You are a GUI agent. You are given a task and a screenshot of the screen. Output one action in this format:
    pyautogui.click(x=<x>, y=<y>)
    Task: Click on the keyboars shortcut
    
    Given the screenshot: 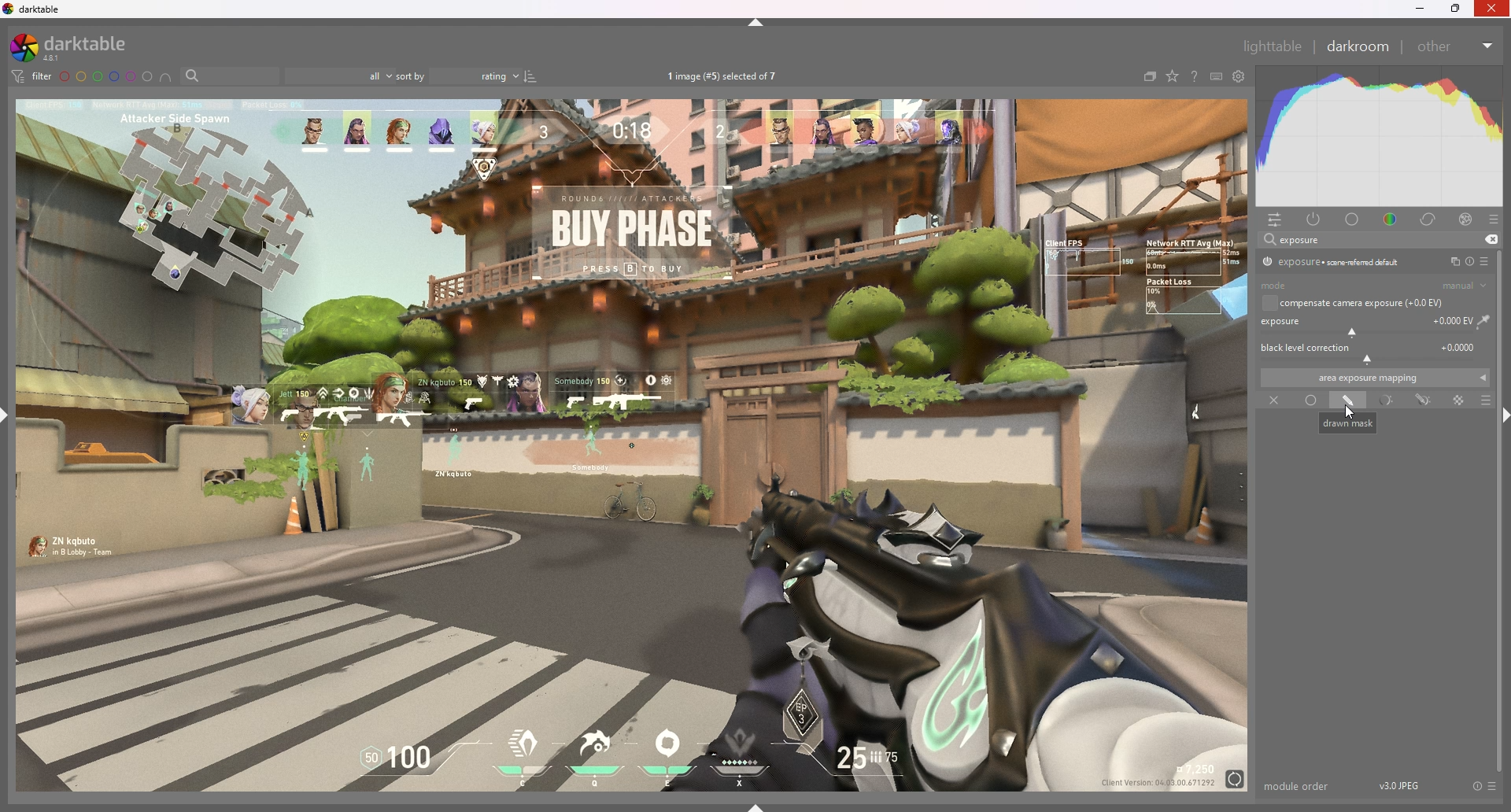 What is the action you would take?
    pyautogui.click(x=1215, y=76)
    